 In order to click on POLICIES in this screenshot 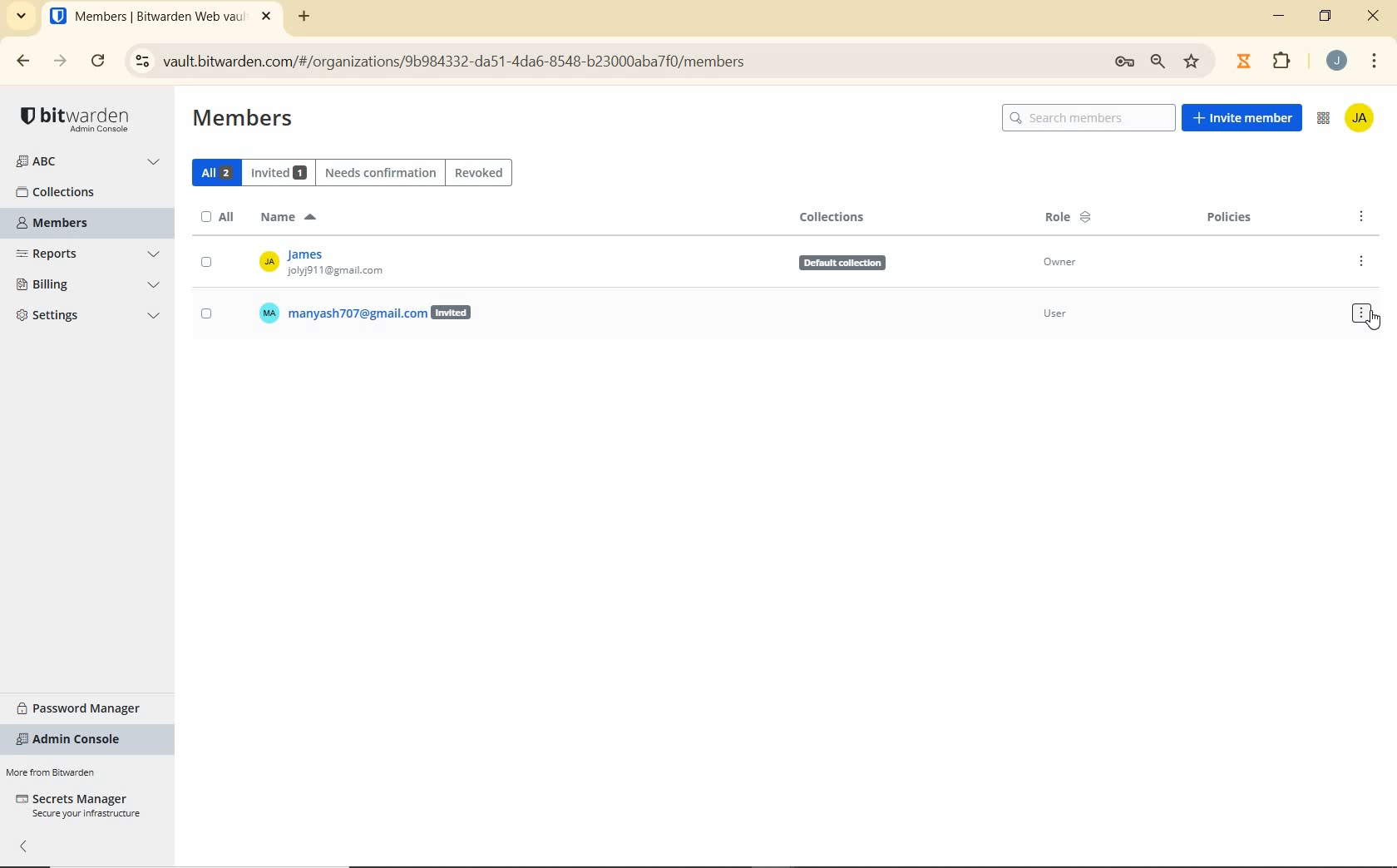, I will do `click(1232, 219)`.